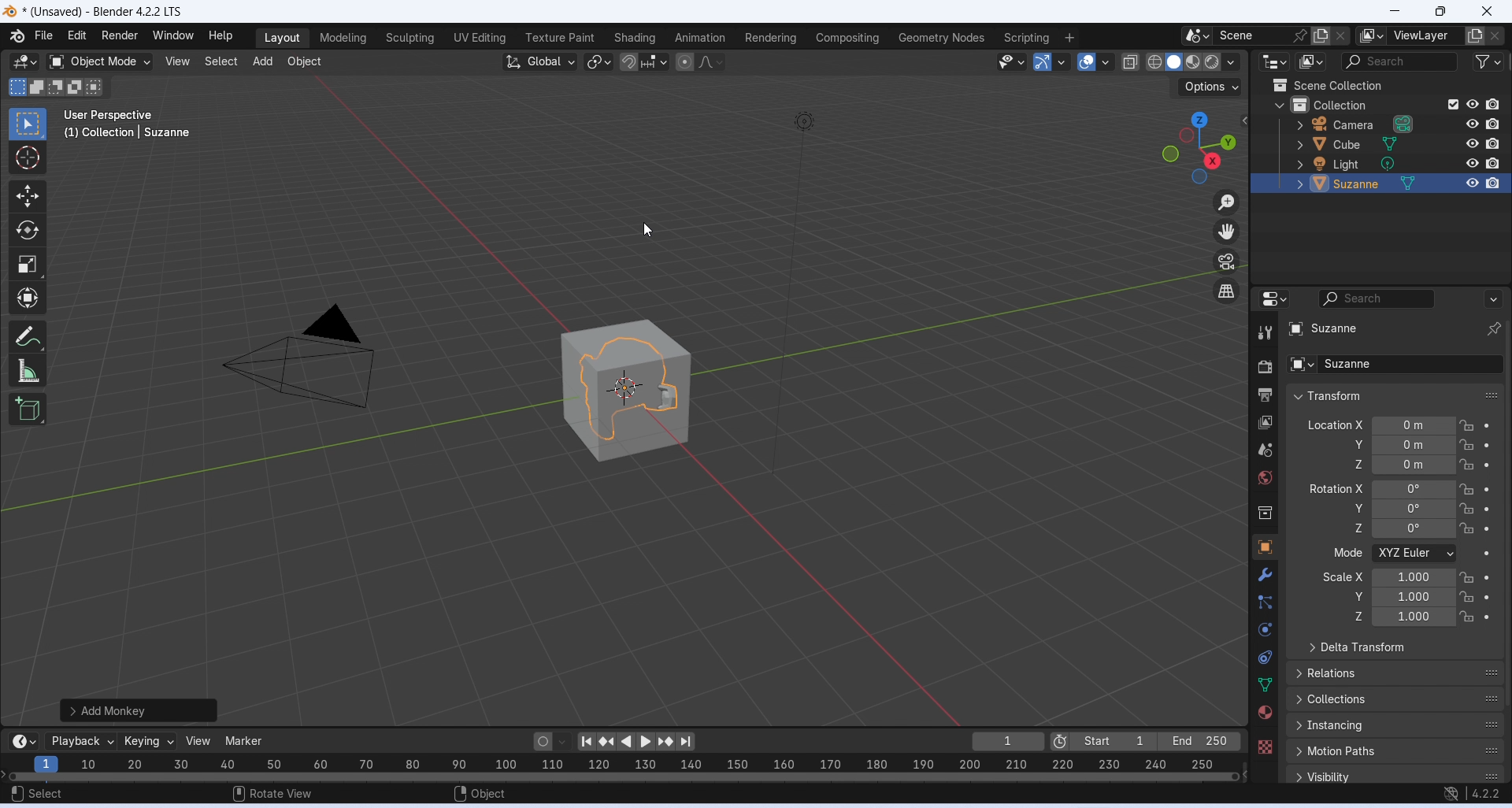  Describe the element at coordinates (586, 742) in the screenshot. I see `jump to endpoint` at that location.